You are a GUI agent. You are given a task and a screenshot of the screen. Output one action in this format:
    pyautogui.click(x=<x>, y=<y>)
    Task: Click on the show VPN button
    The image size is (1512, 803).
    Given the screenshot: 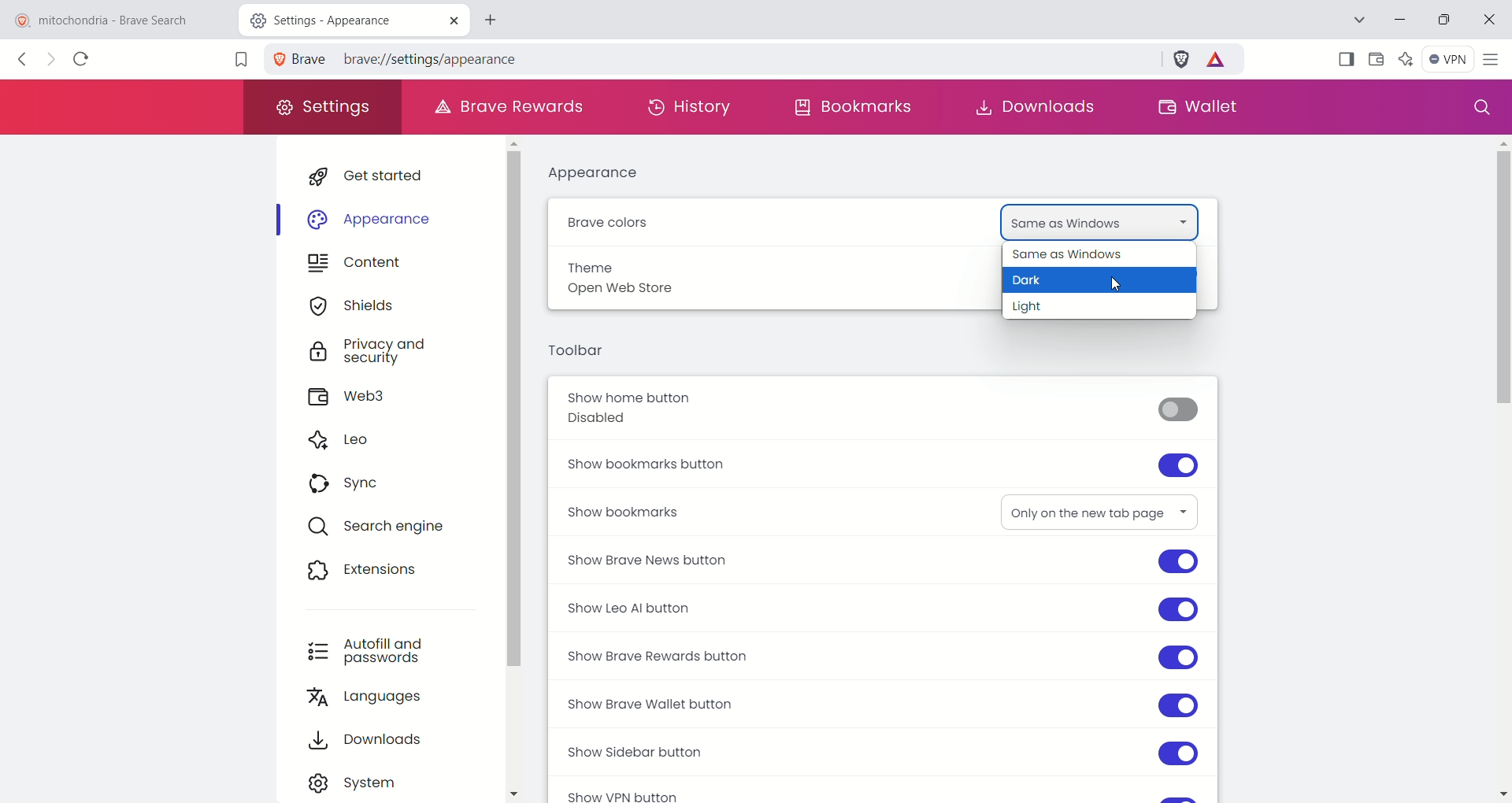 What is the action you would take?
    pyautogui.click(x=621, y=793)
    